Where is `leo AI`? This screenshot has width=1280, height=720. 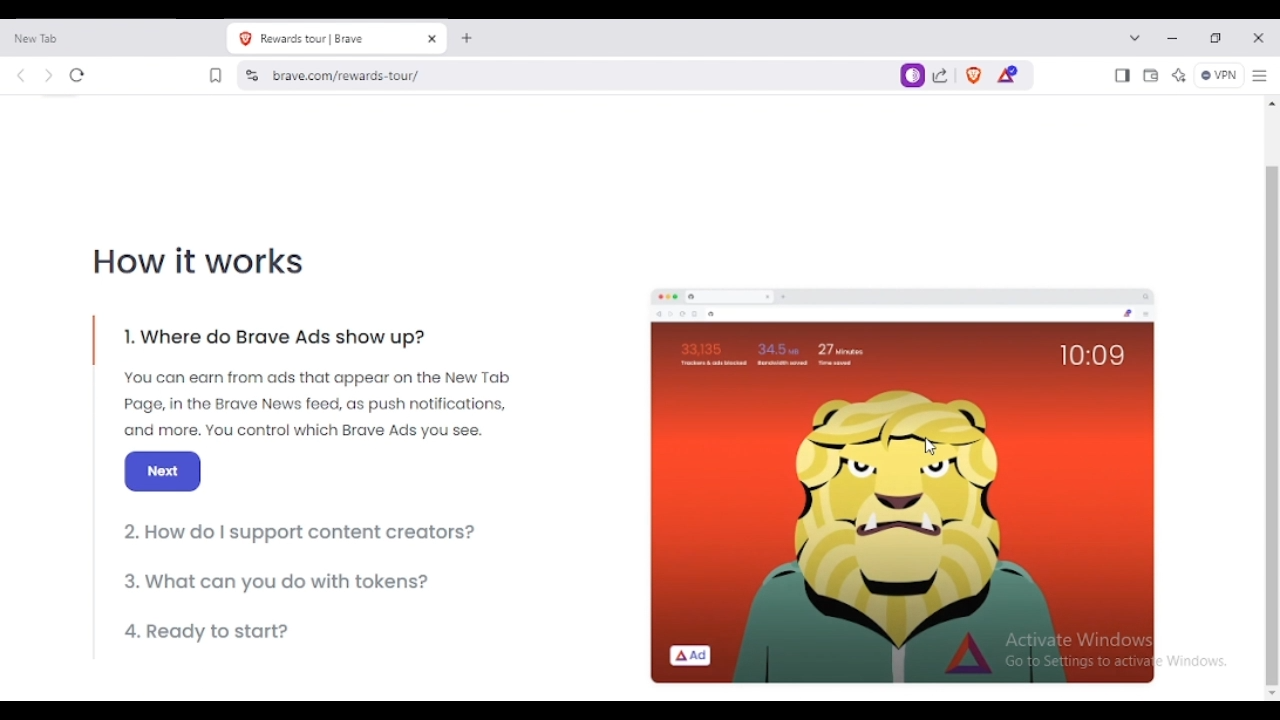 leo AI is located at coordinates (1178, 77).